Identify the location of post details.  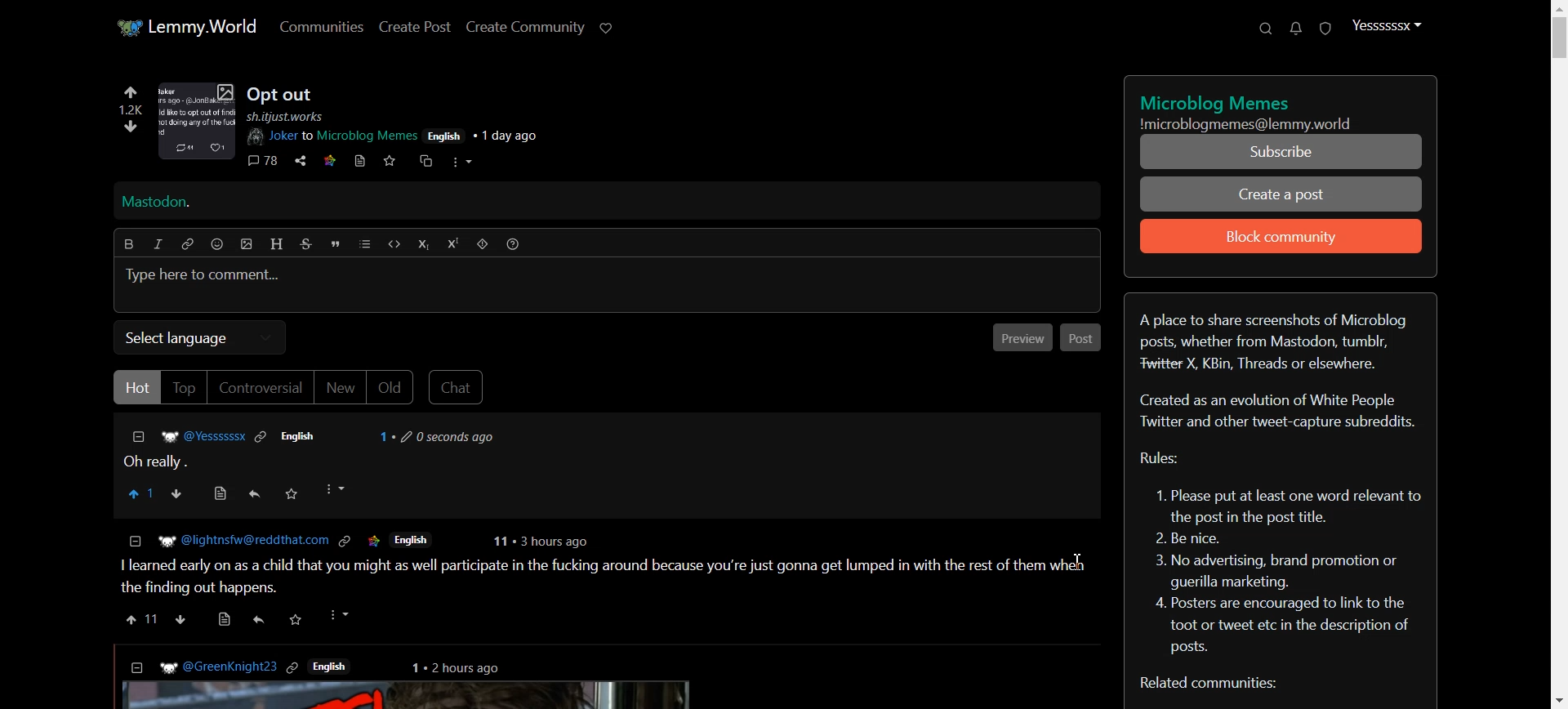
(409, 126).